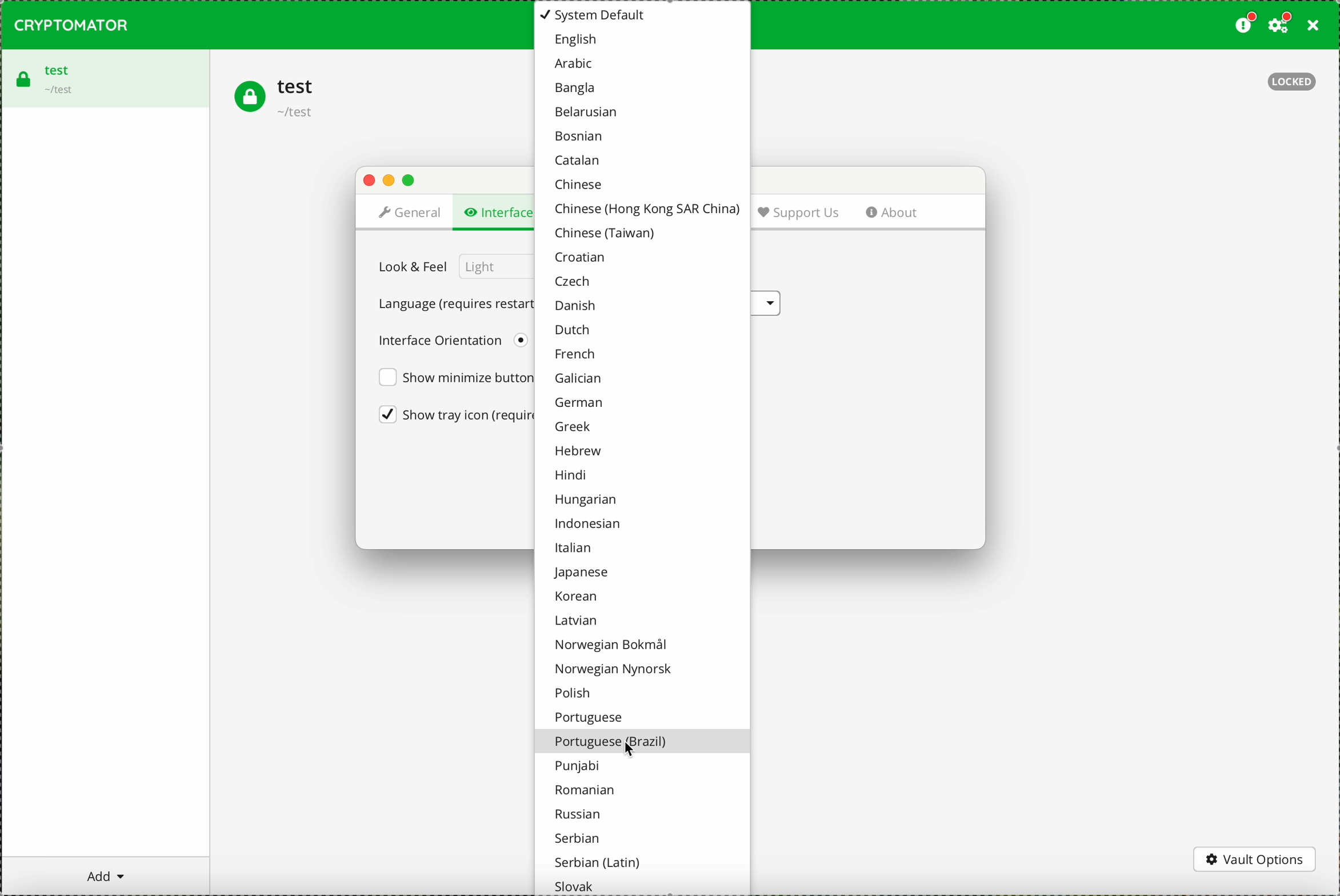 The image size is (1340, 896). I want to click on belarusian, so click(585, 113).